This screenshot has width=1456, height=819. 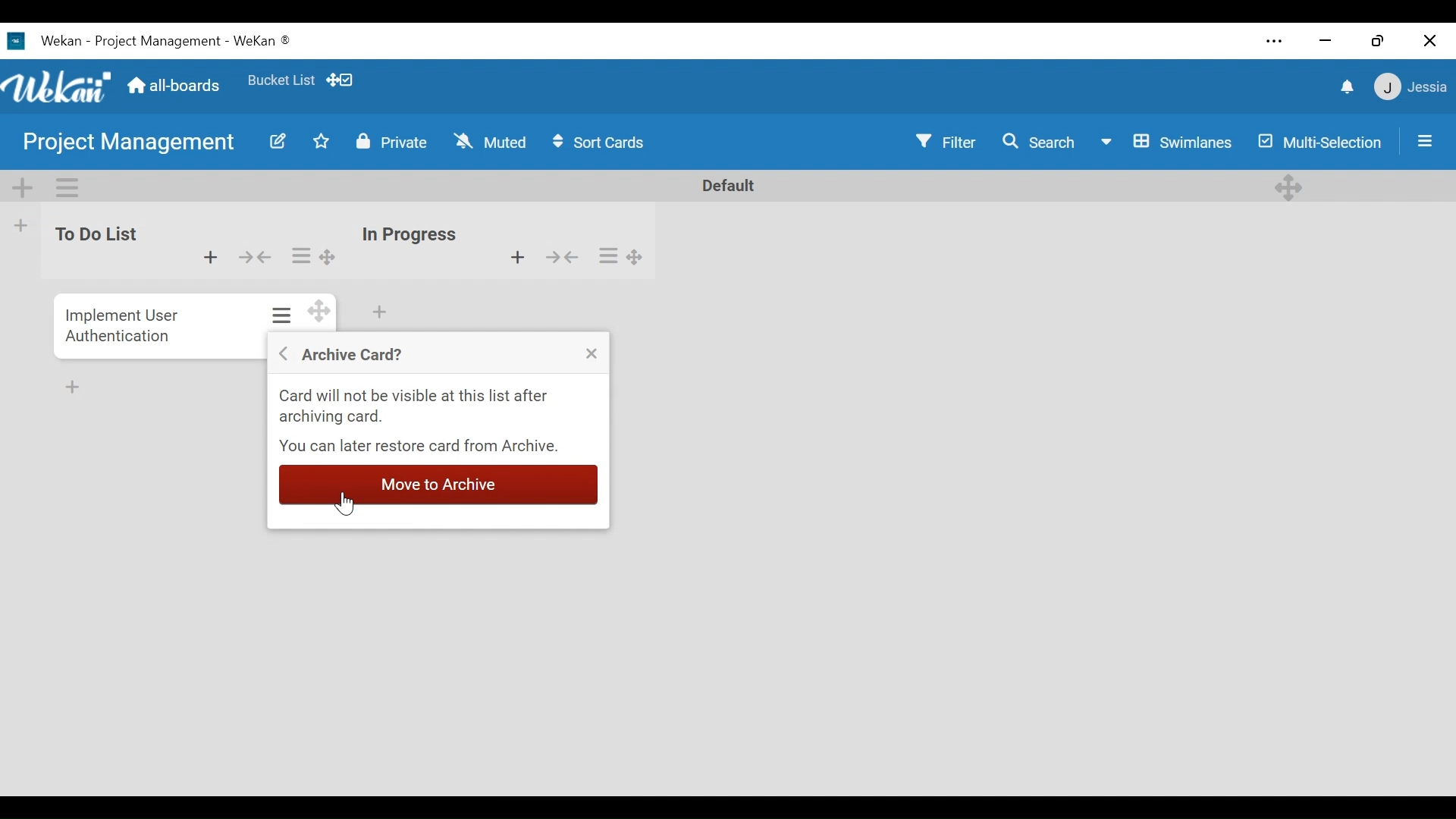 I want to click on Settings and more, so click(x=1276, y=40).